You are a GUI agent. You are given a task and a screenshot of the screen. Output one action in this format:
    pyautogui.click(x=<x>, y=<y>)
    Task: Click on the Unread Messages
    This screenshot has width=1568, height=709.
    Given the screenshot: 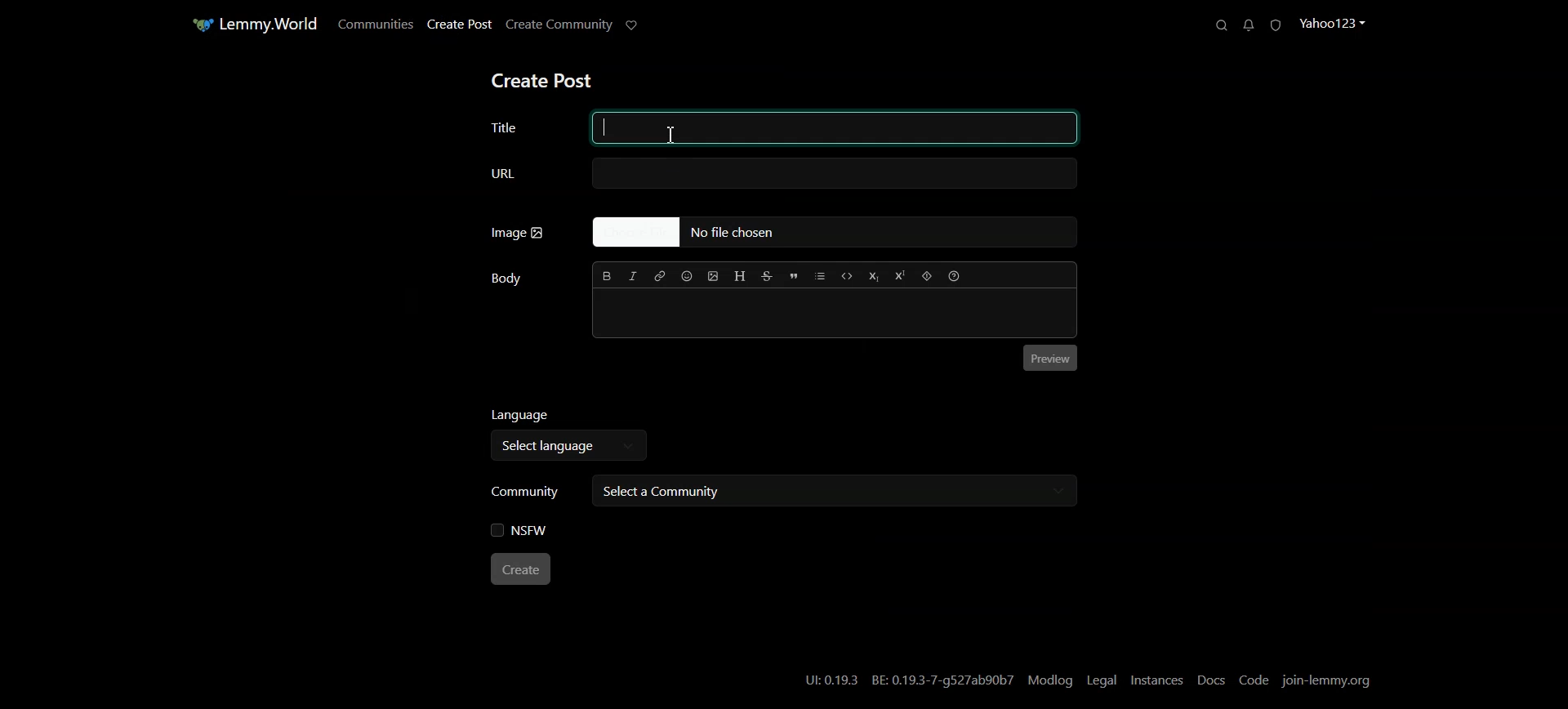 What is the action you would take?
    pyautogui.click(x=1248, y=25)
    